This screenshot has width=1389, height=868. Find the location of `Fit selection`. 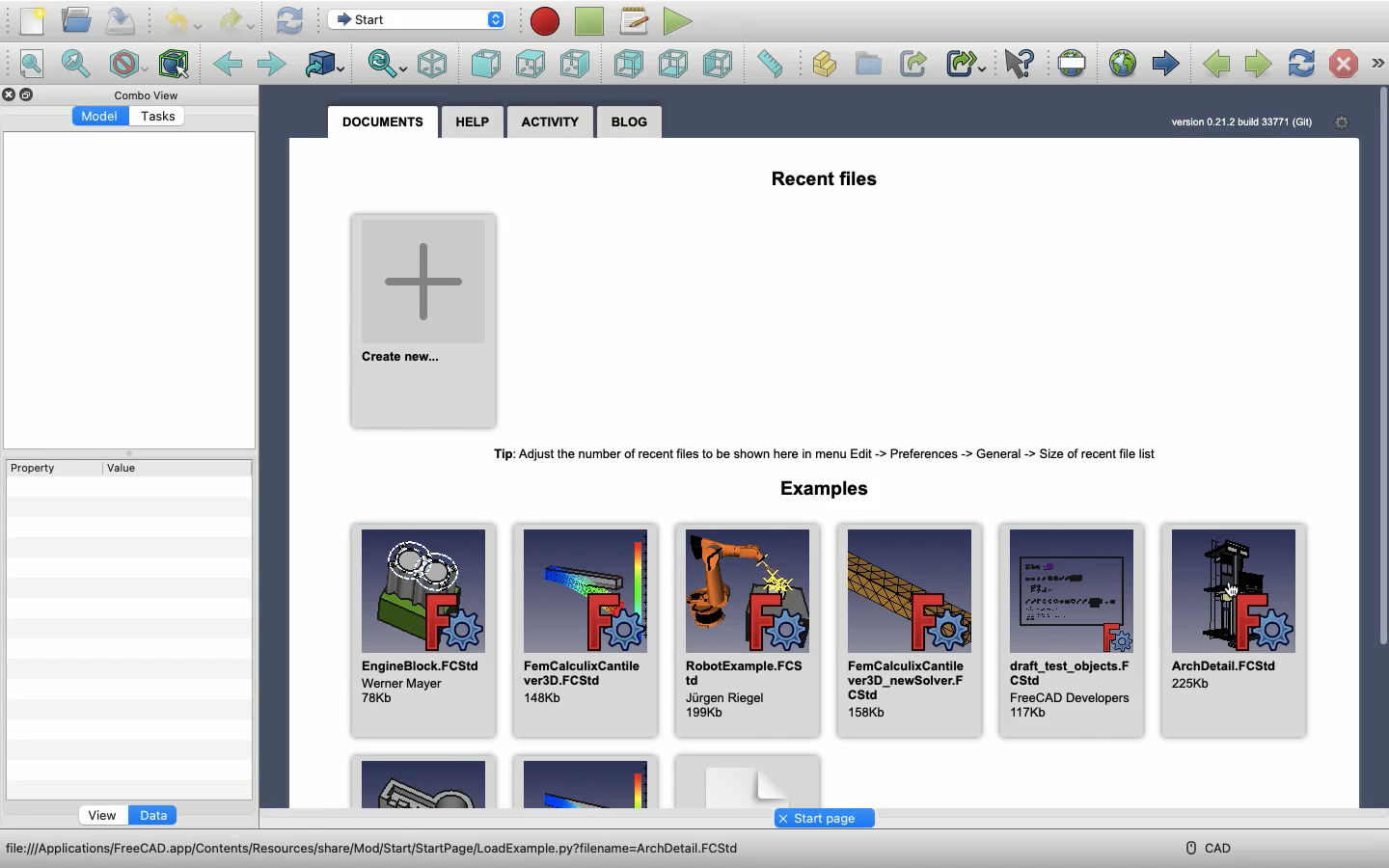

Fit selection is located at coordinates (78, 66).